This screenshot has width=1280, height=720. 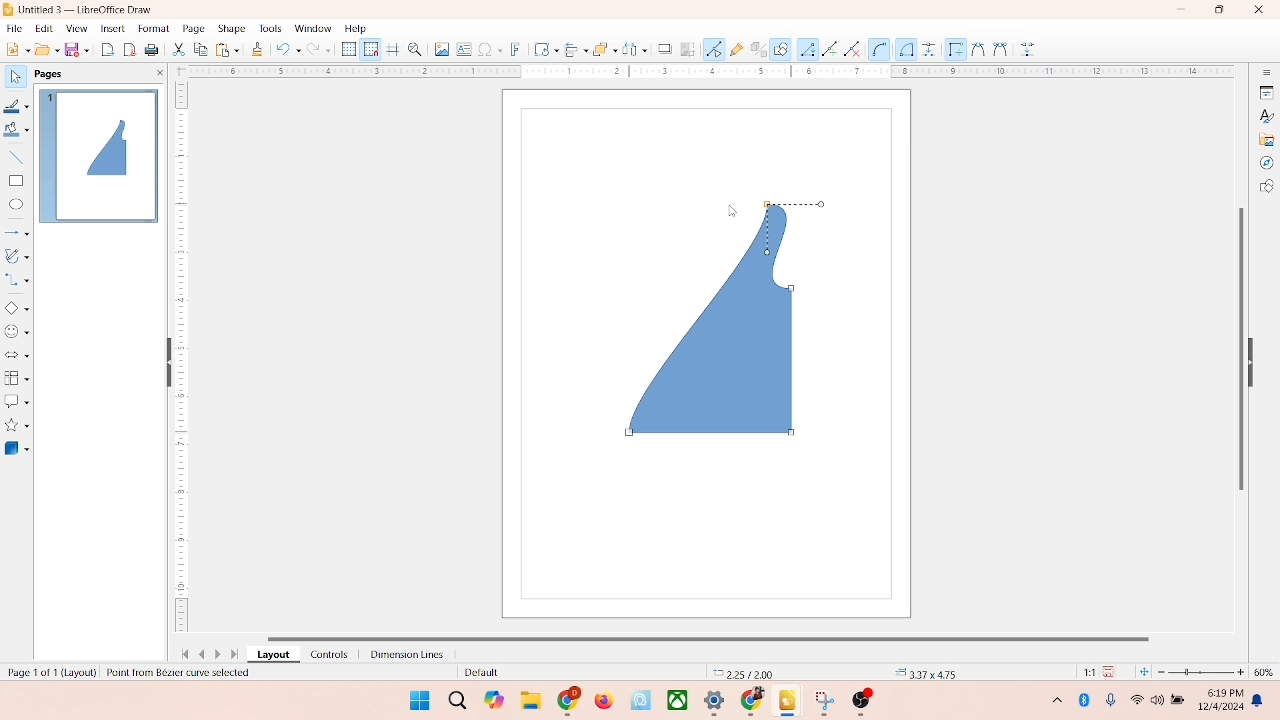 I want to click on cursor, so click(x=734, y=212).